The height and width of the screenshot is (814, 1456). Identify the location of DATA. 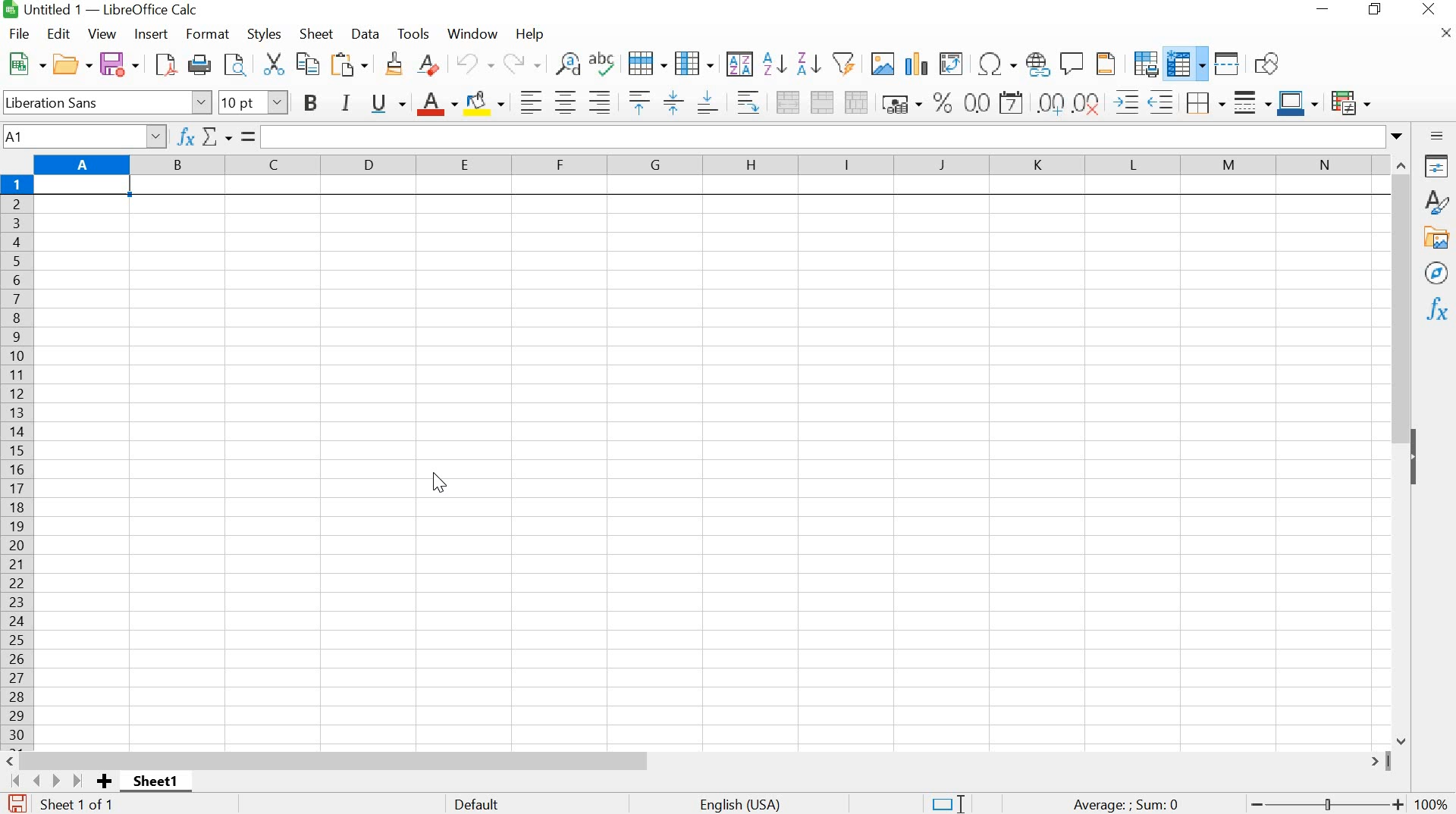
(367, 34).